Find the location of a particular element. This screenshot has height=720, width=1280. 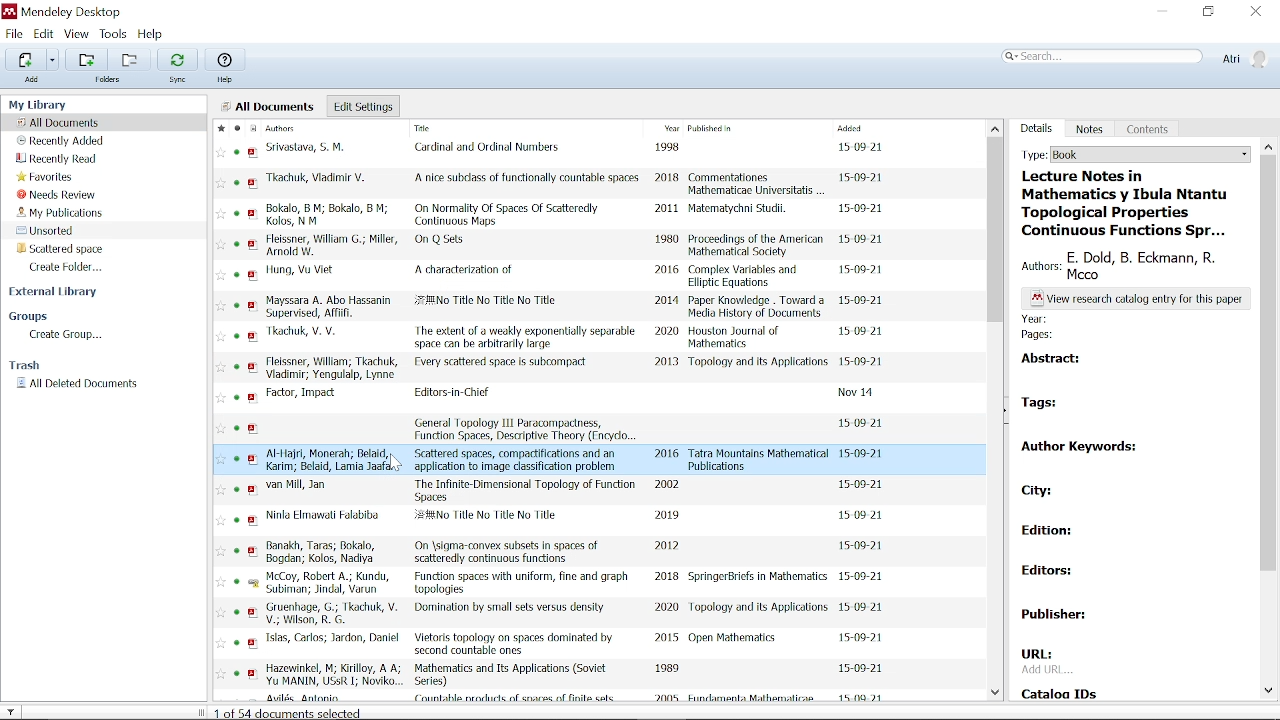

add is located at coordinates (32, 80).